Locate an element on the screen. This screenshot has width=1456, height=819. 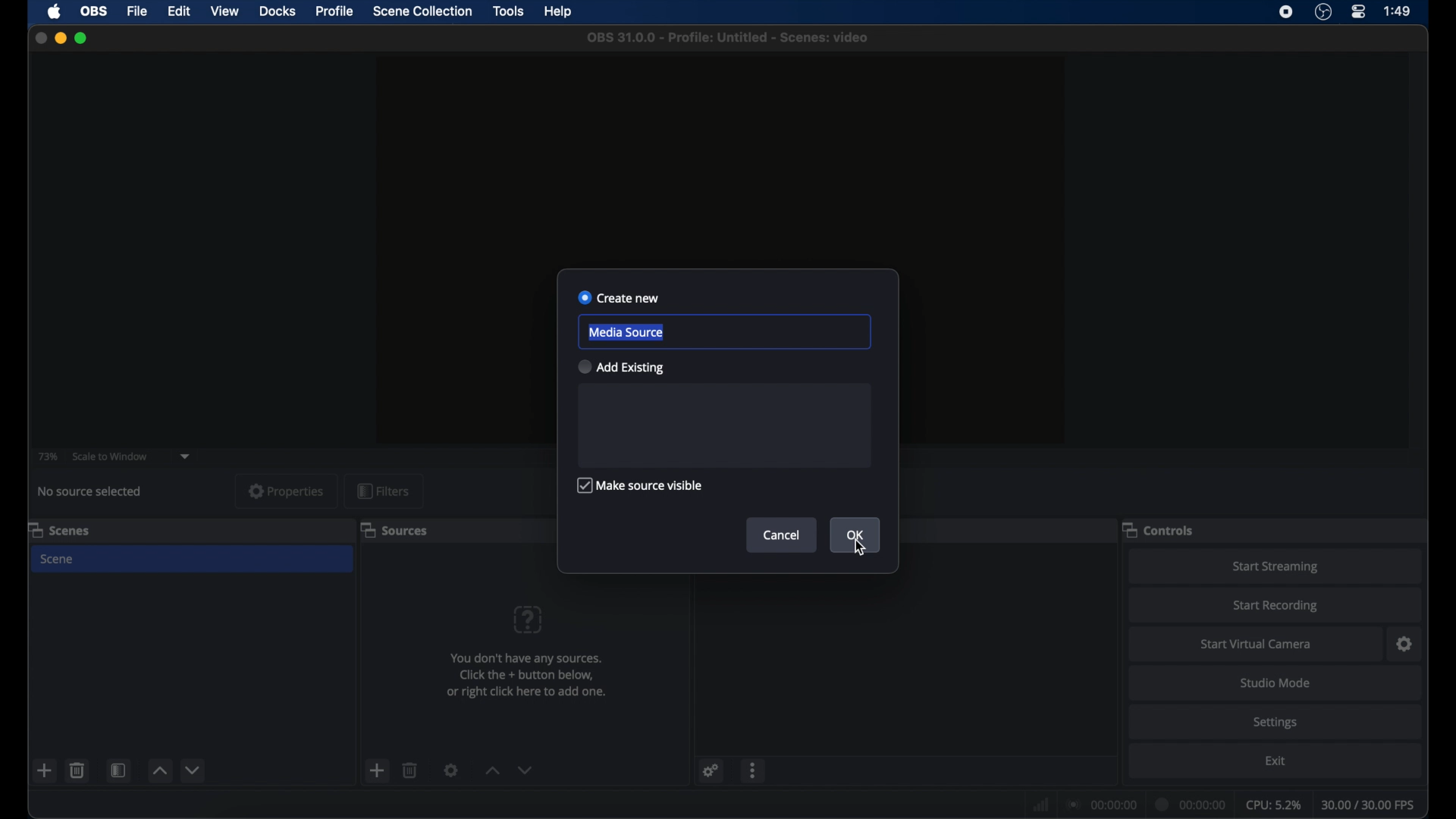
duration is located at coordinates (1192, 803).